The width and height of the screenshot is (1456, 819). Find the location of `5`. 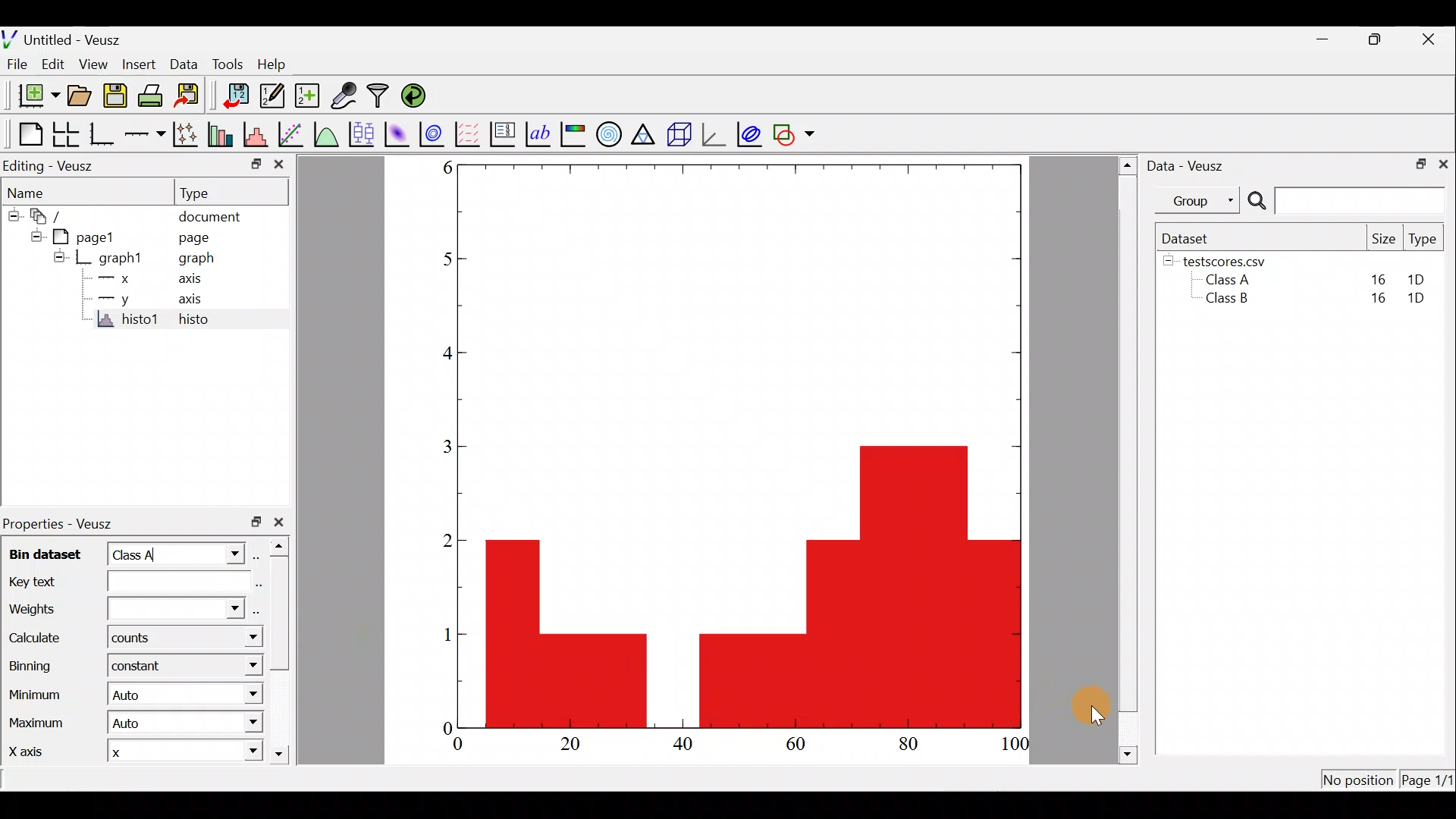

5 is located at coordinates (437, 259).